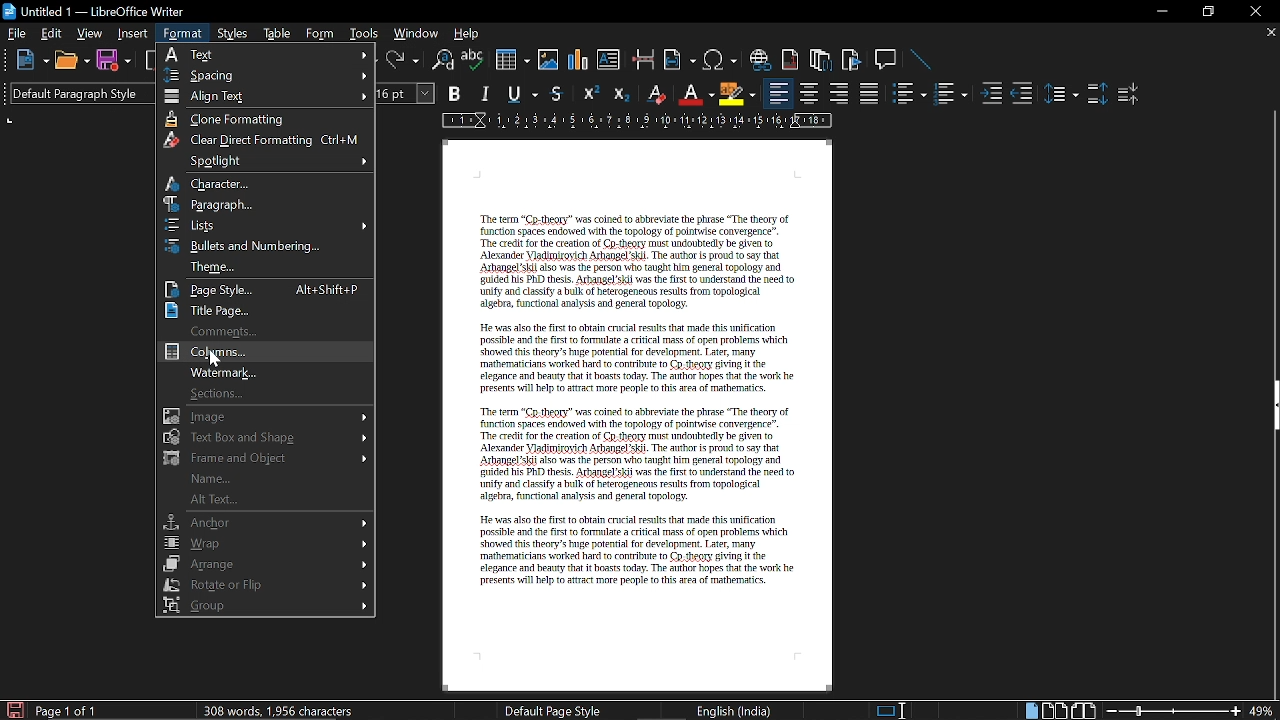 Image resolution: width=1280 pixels, height=720 pixels. Describe the element at coordinates (30, 63) in the screenshot. I see `New` at that location.